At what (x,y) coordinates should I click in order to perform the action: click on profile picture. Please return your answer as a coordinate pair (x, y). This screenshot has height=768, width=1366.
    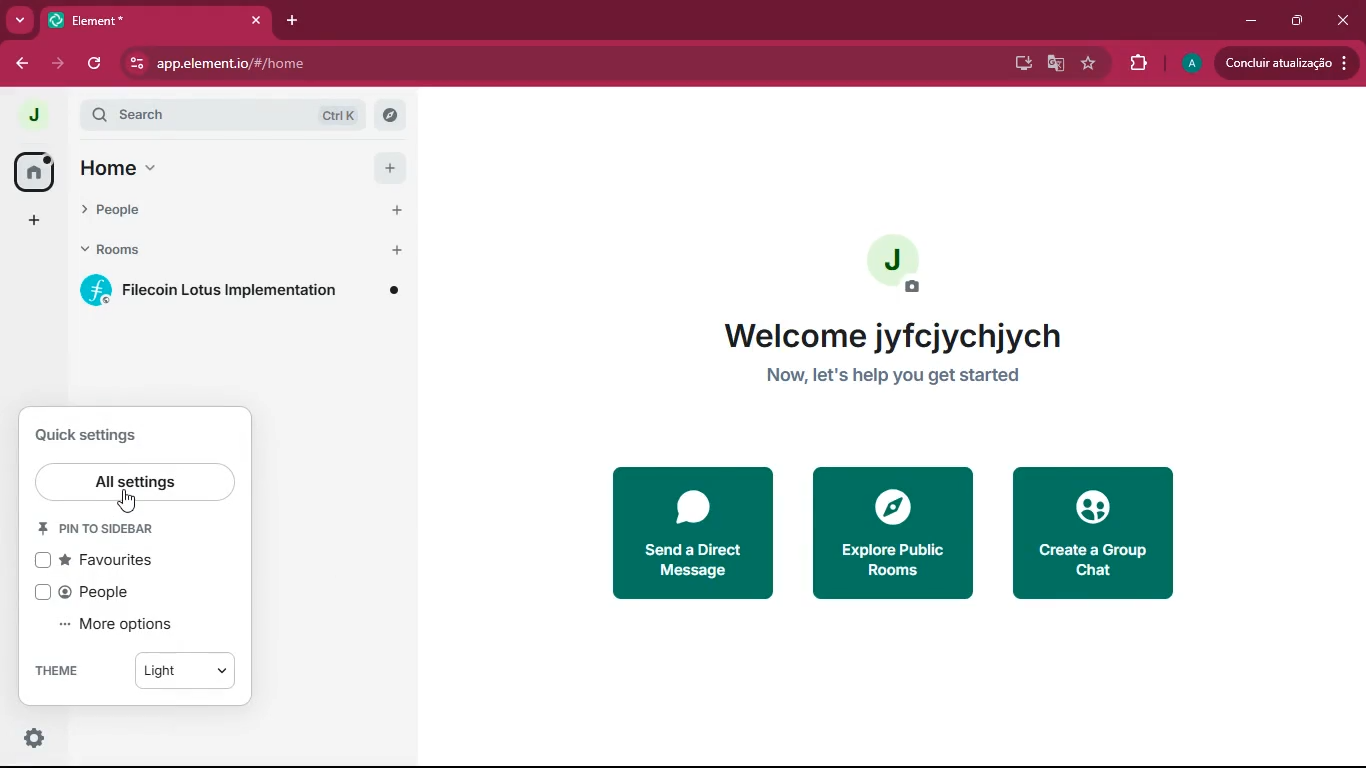
    Looking at the image, I should click on (31, 115).